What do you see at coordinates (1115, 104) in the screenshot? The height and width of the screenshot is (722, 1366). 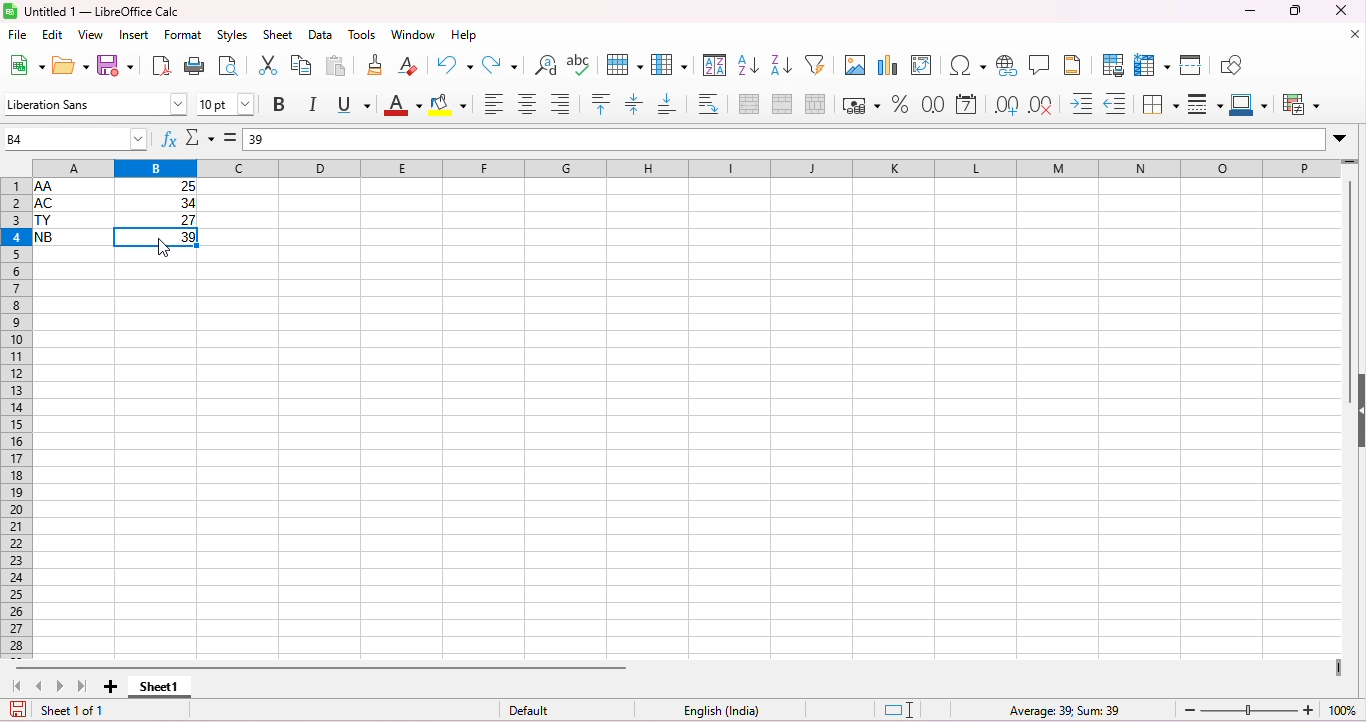 I see `decrease indent` at bounding box center [1115, 104].